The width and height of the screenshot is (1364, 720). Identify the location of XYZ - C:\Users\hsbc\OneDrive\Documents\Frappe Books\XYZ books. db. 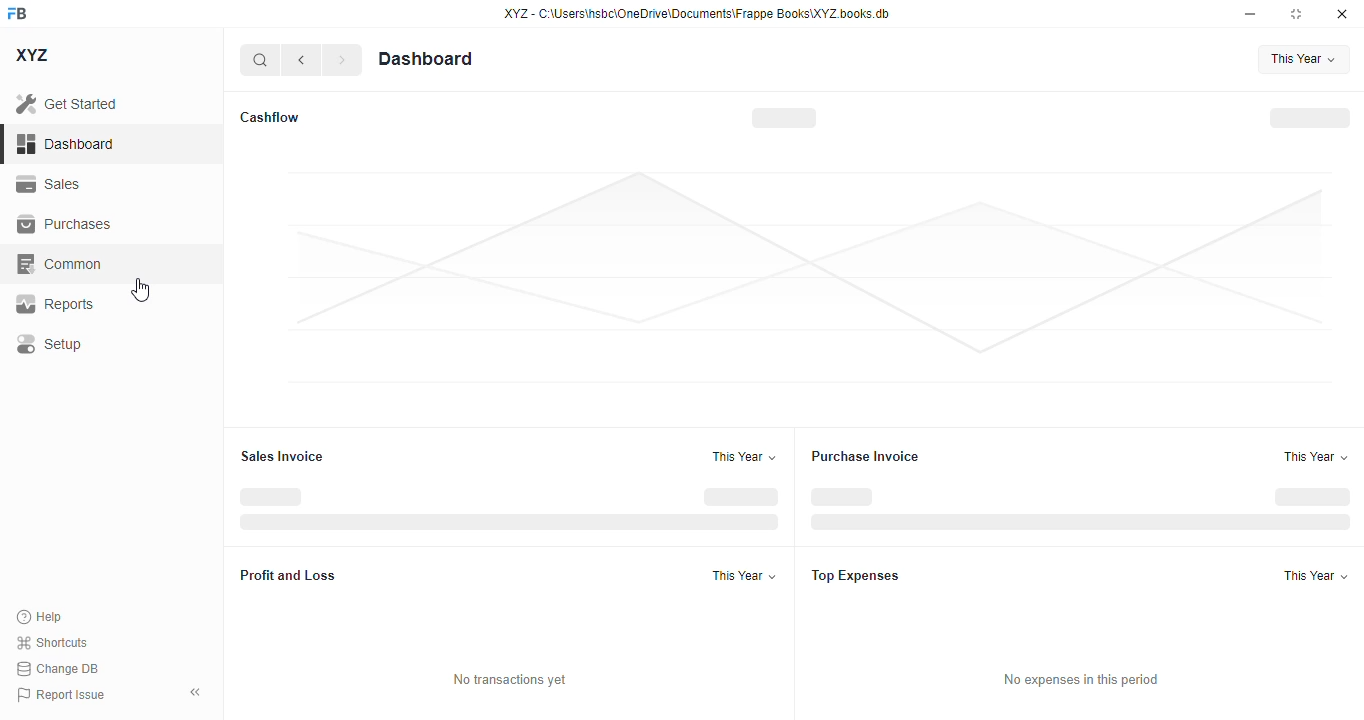
(697, 14).